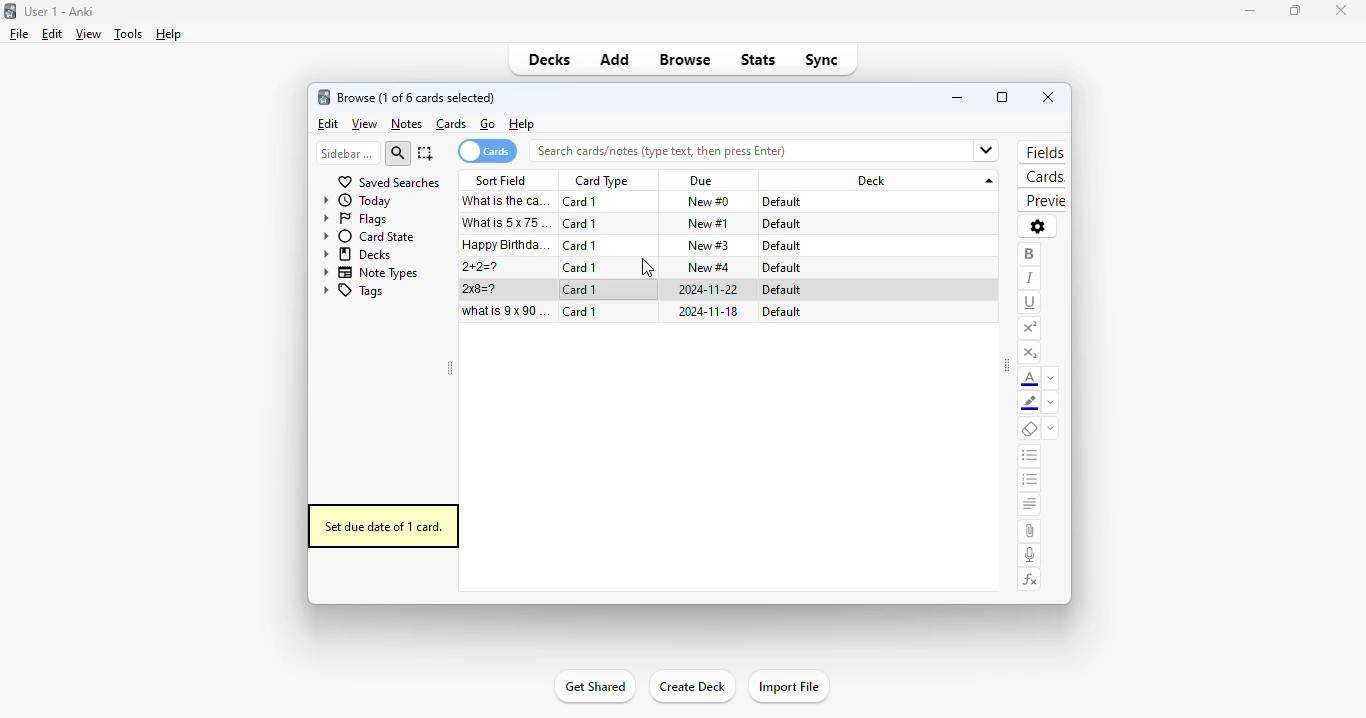 Image resolution: width=1366 pixels, height=718 pixels. Describe the element at coordinates (426, 153) in the screenshot. I see `select` at that location.